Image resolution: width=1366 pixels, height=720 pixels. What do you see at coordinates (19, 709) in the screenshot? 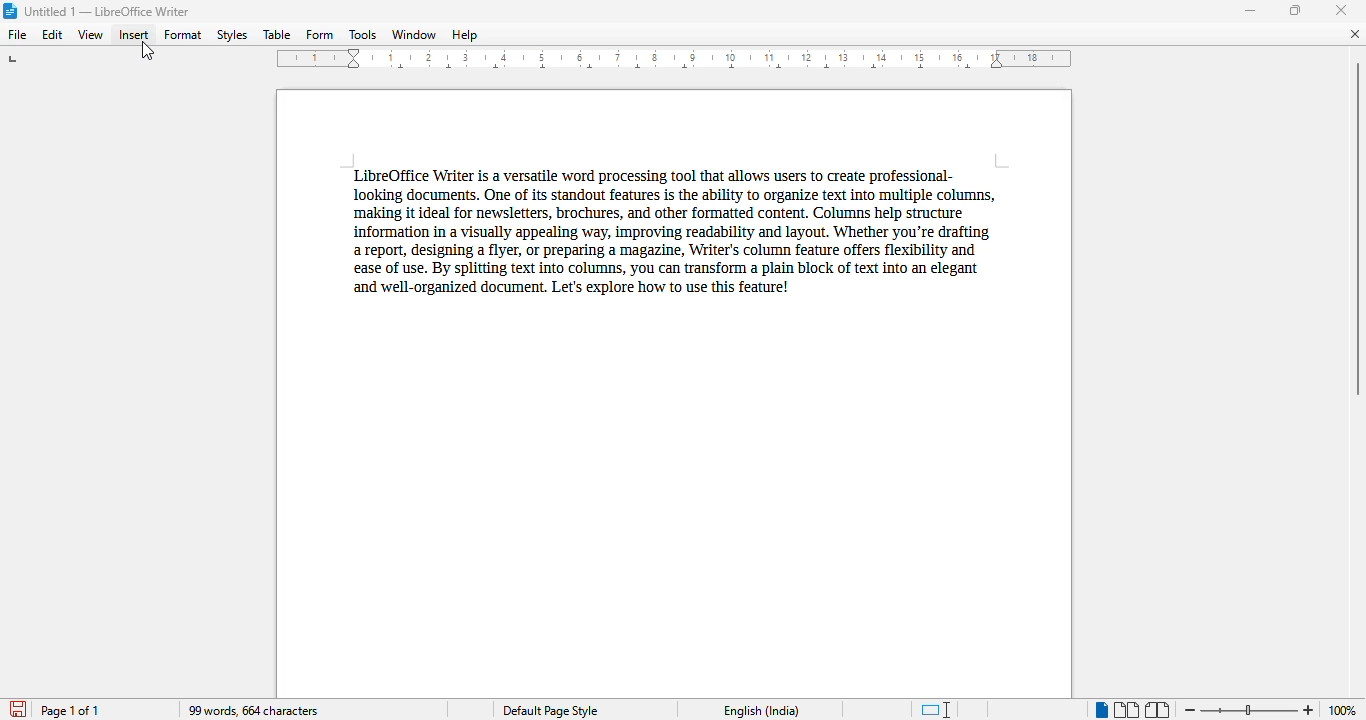
I see `click to save document` at bounding box center [19, 709].